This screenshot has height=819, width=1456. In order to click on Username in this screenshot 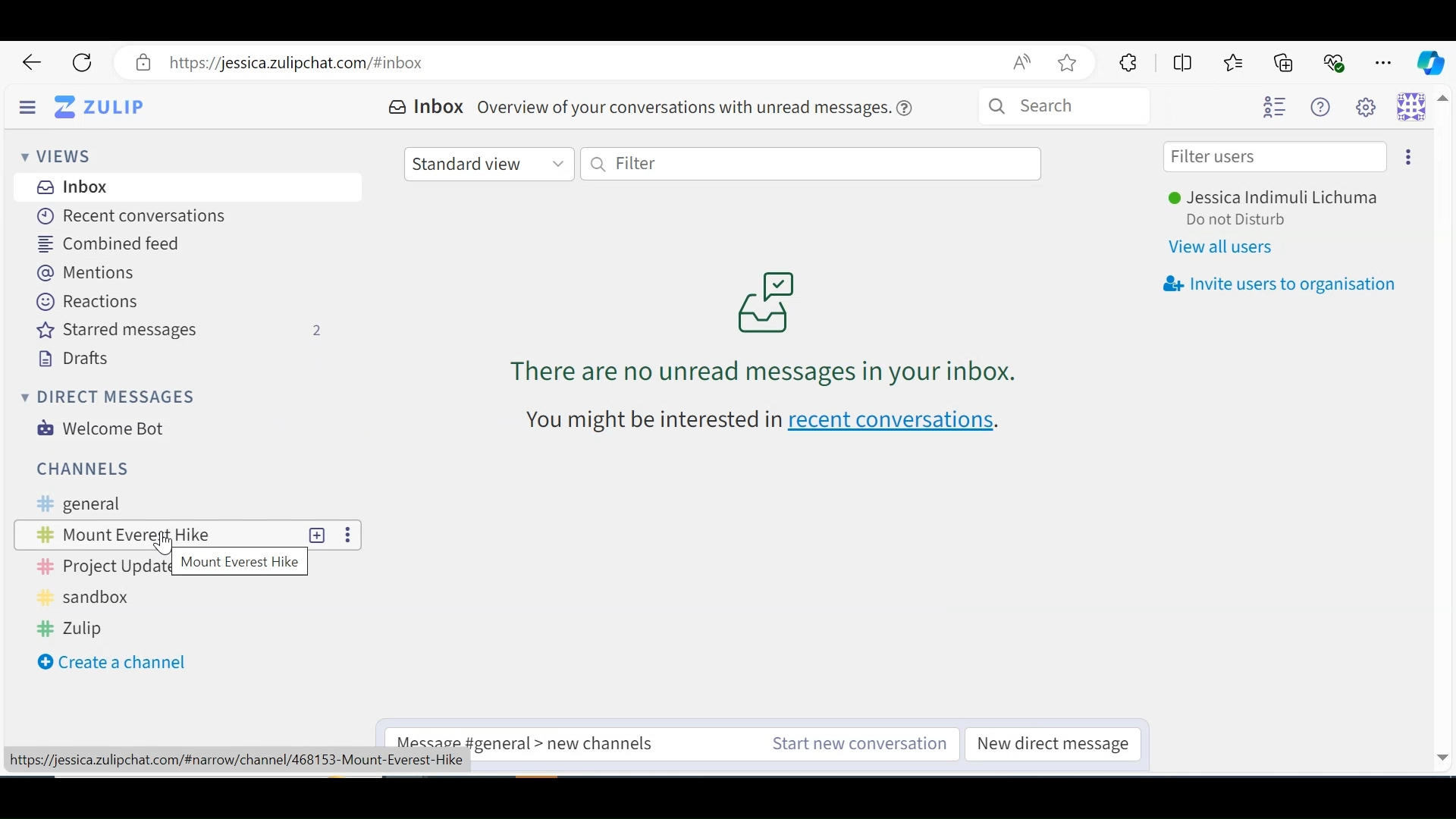, I will do `click(1281, 199)`.